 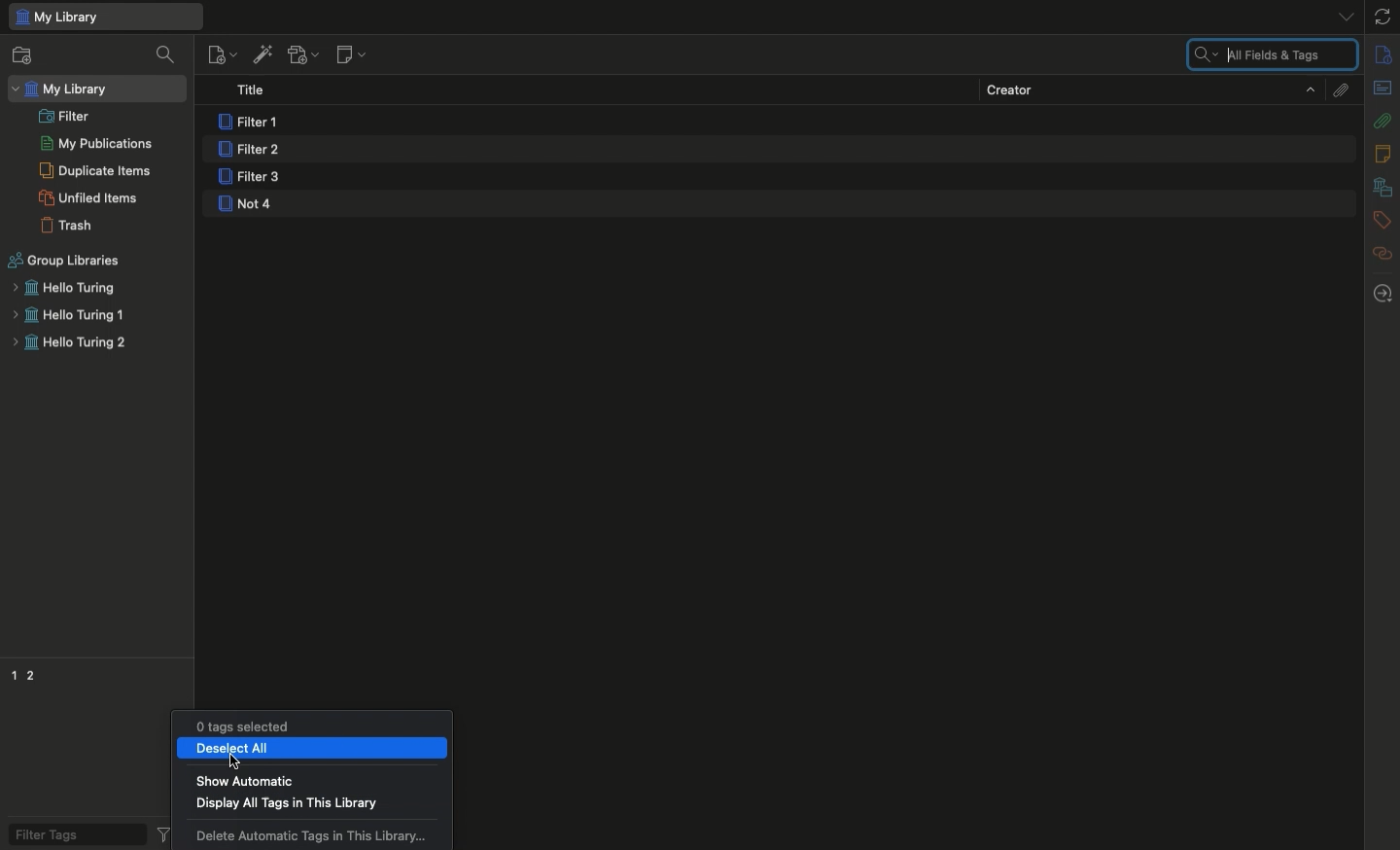 I want to click on Cleared search filter, so click(x=1271, y=55).